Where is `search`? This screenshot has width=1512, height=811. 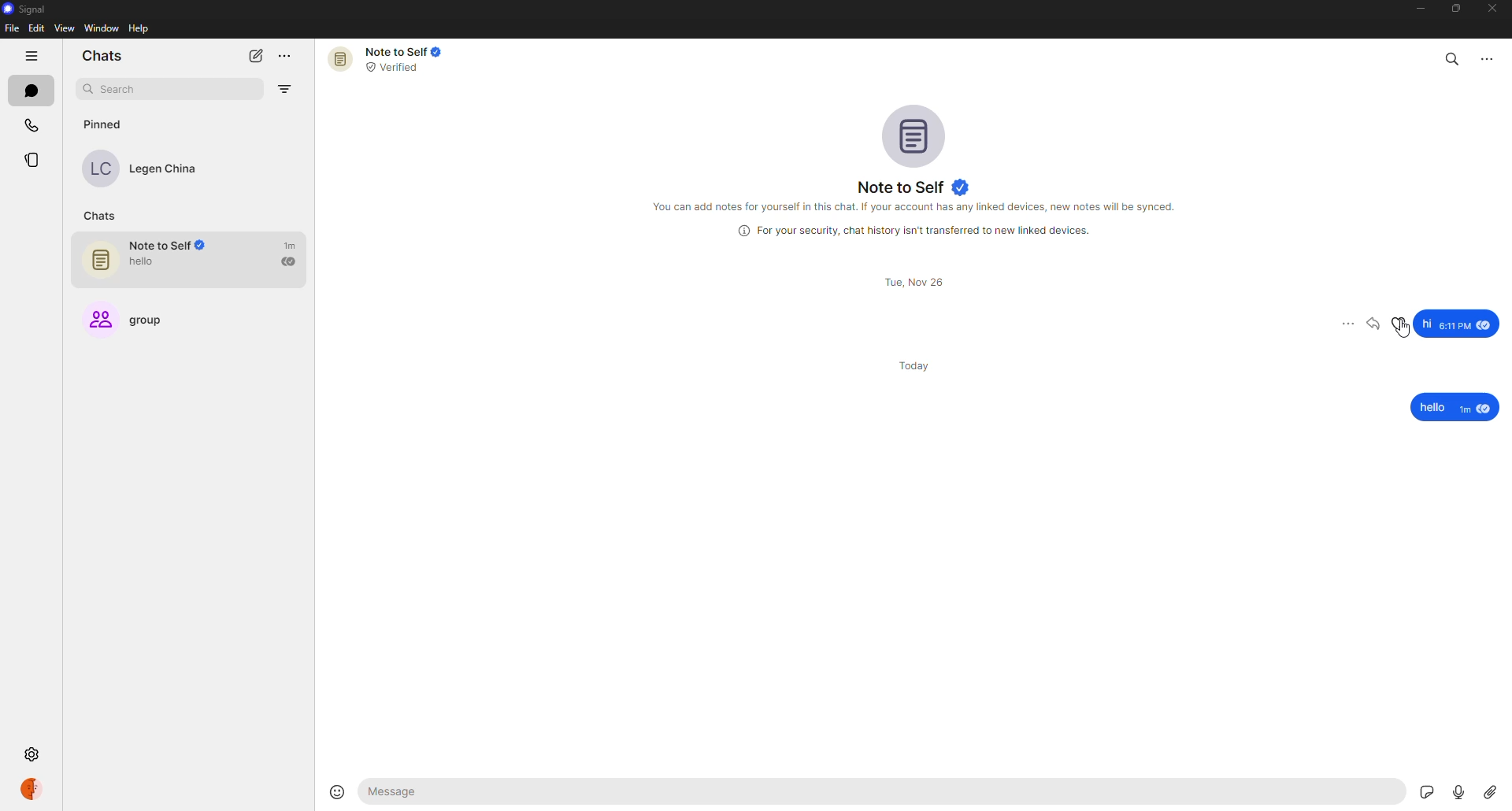
search is located at coordinates (139, 89).